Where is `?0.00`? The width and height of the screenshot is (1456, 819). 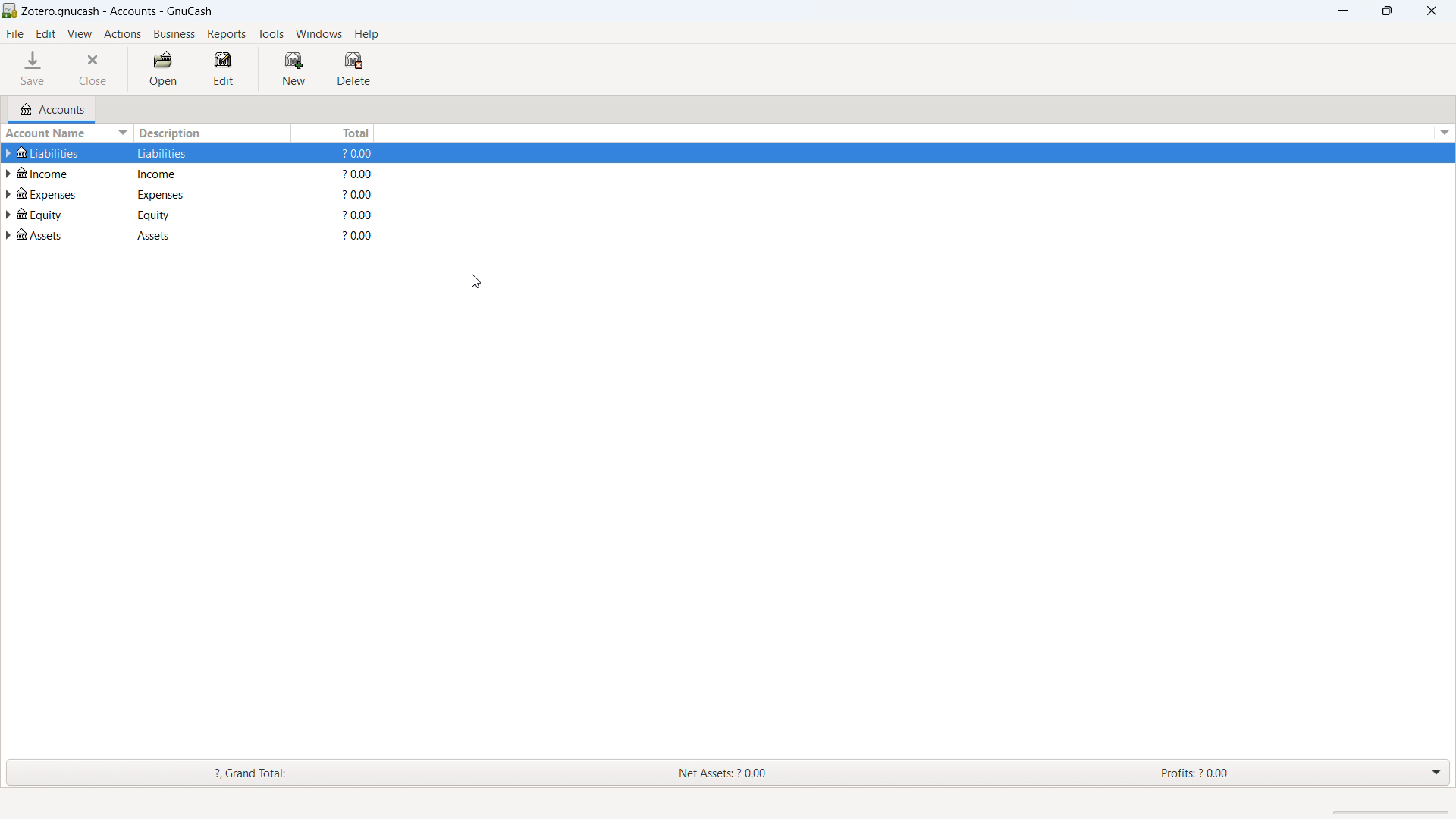 ?0.00 is located at coordinates (359, 194).